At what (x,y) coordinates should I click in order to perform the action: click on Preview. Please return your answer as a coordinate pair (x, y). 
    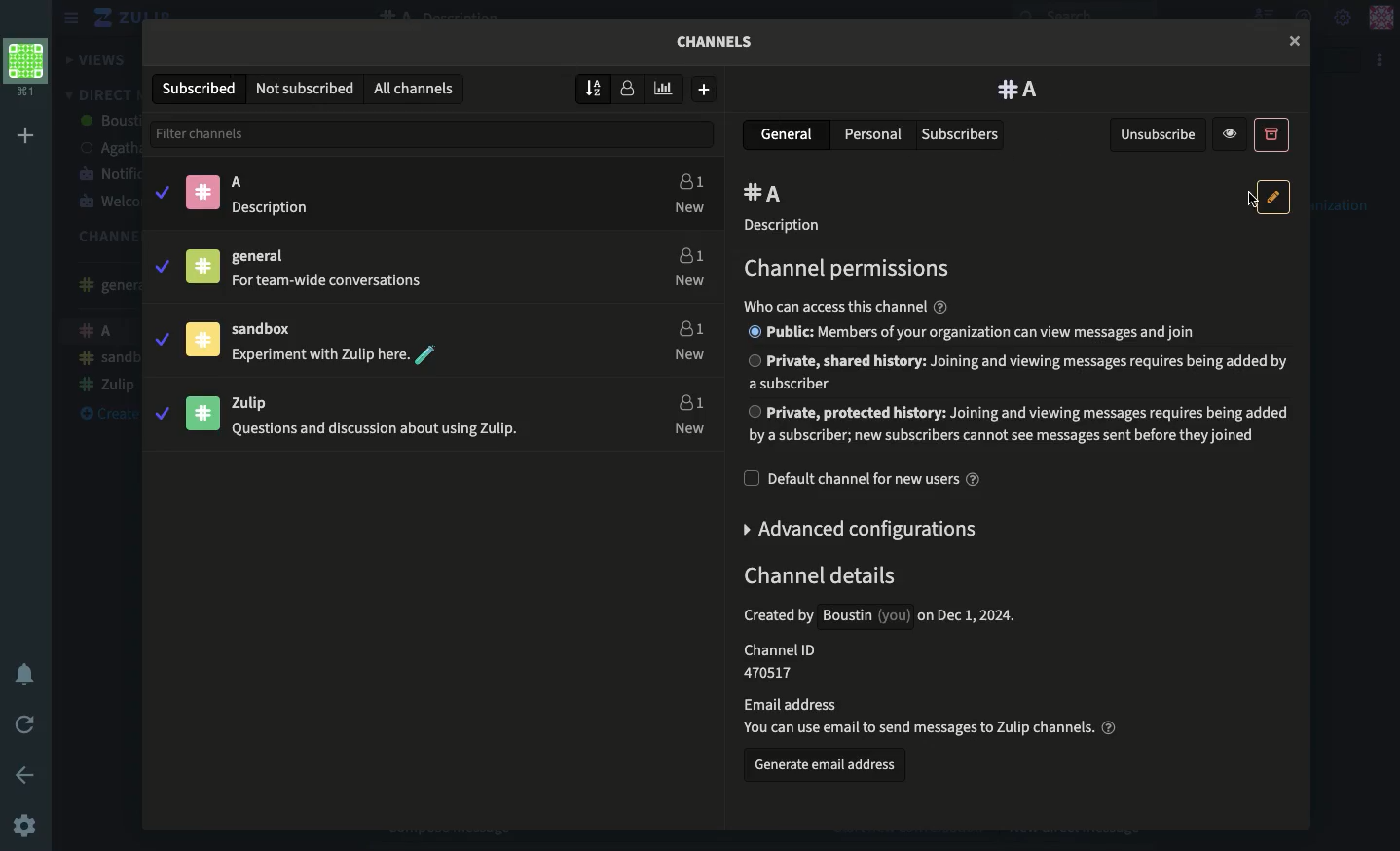
    Looking at the image, I should click on (1233, 133).